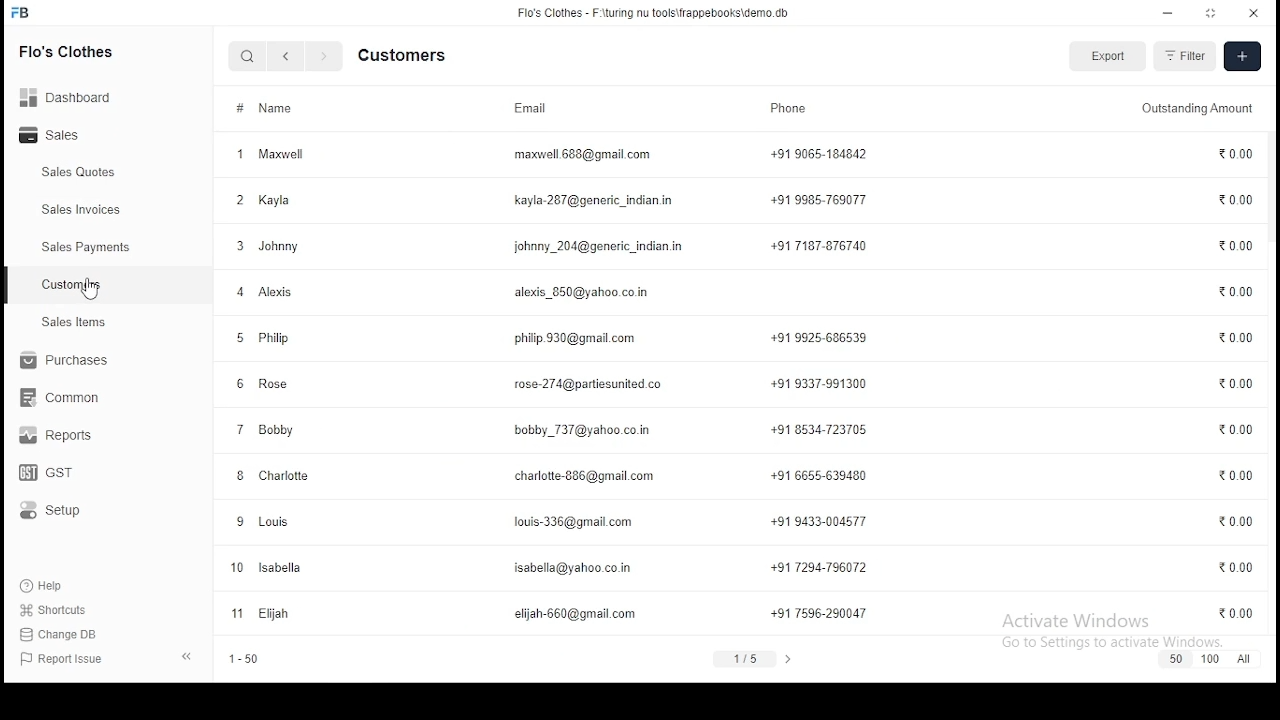  Describe the element at coordinates (553, 568) in the screenshot. I see `isabelle@yahoo.co.in` at that location.